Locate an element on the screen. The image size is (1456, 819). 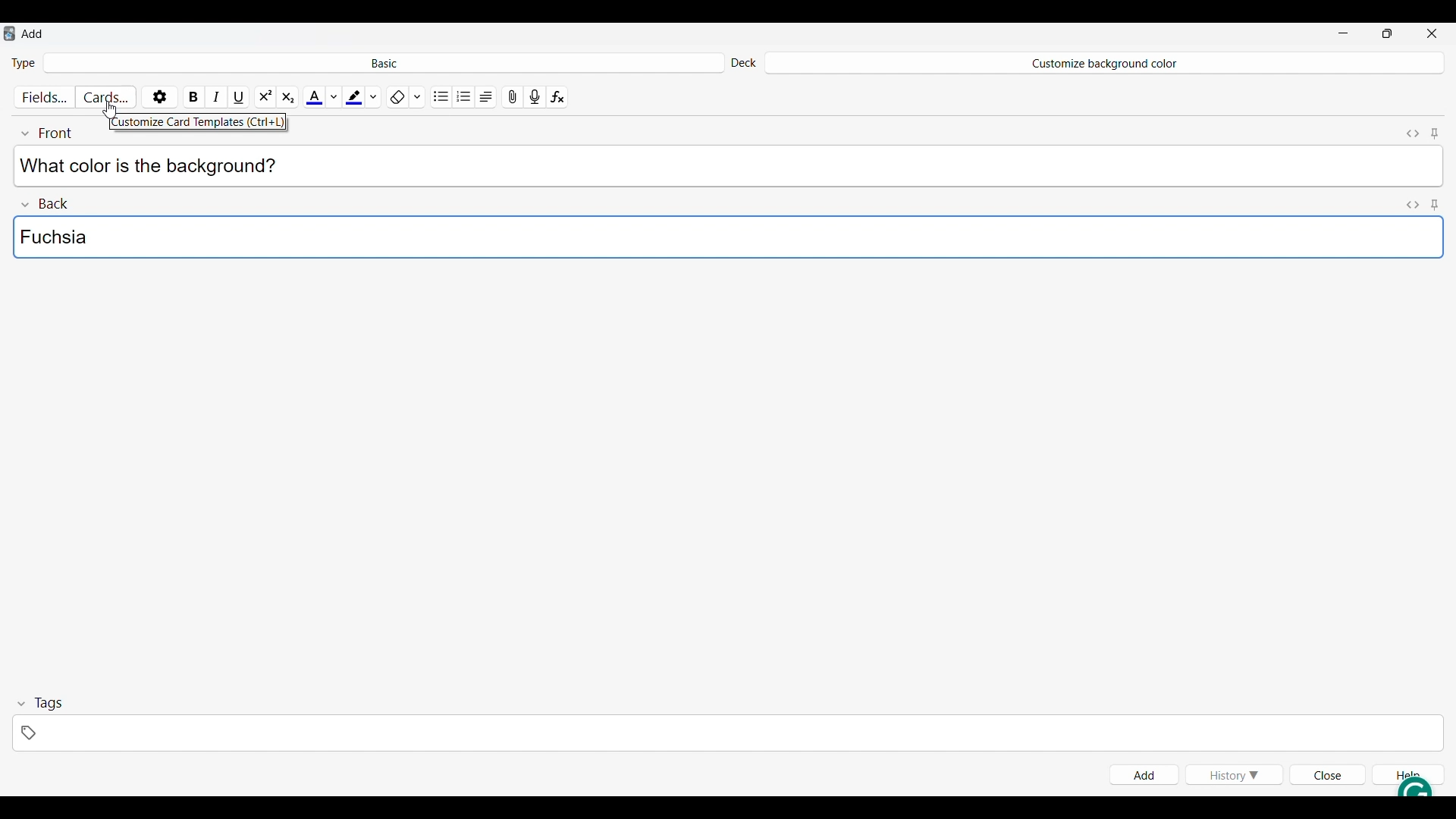
Indicates Deck settings is located at coordinates (743, 63).